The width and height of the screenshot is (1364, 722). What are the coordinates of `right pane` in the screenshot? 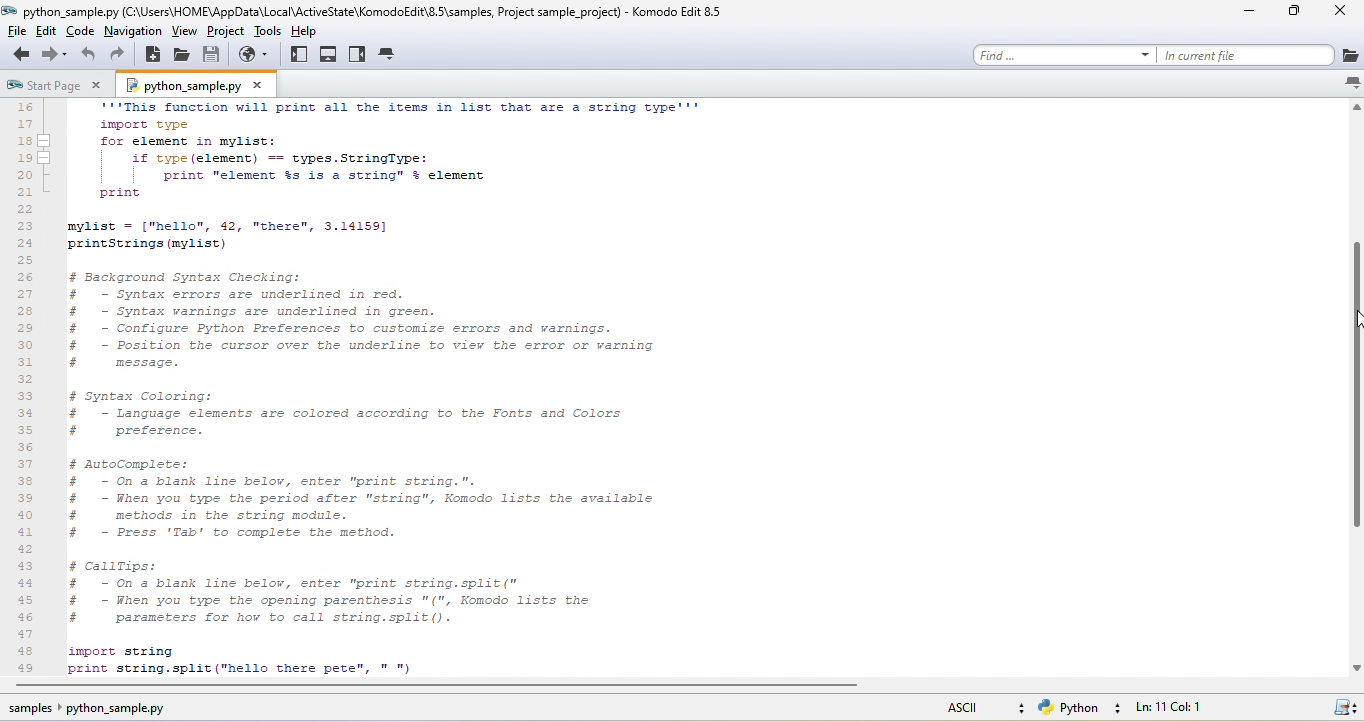 It's located at (358, 55).